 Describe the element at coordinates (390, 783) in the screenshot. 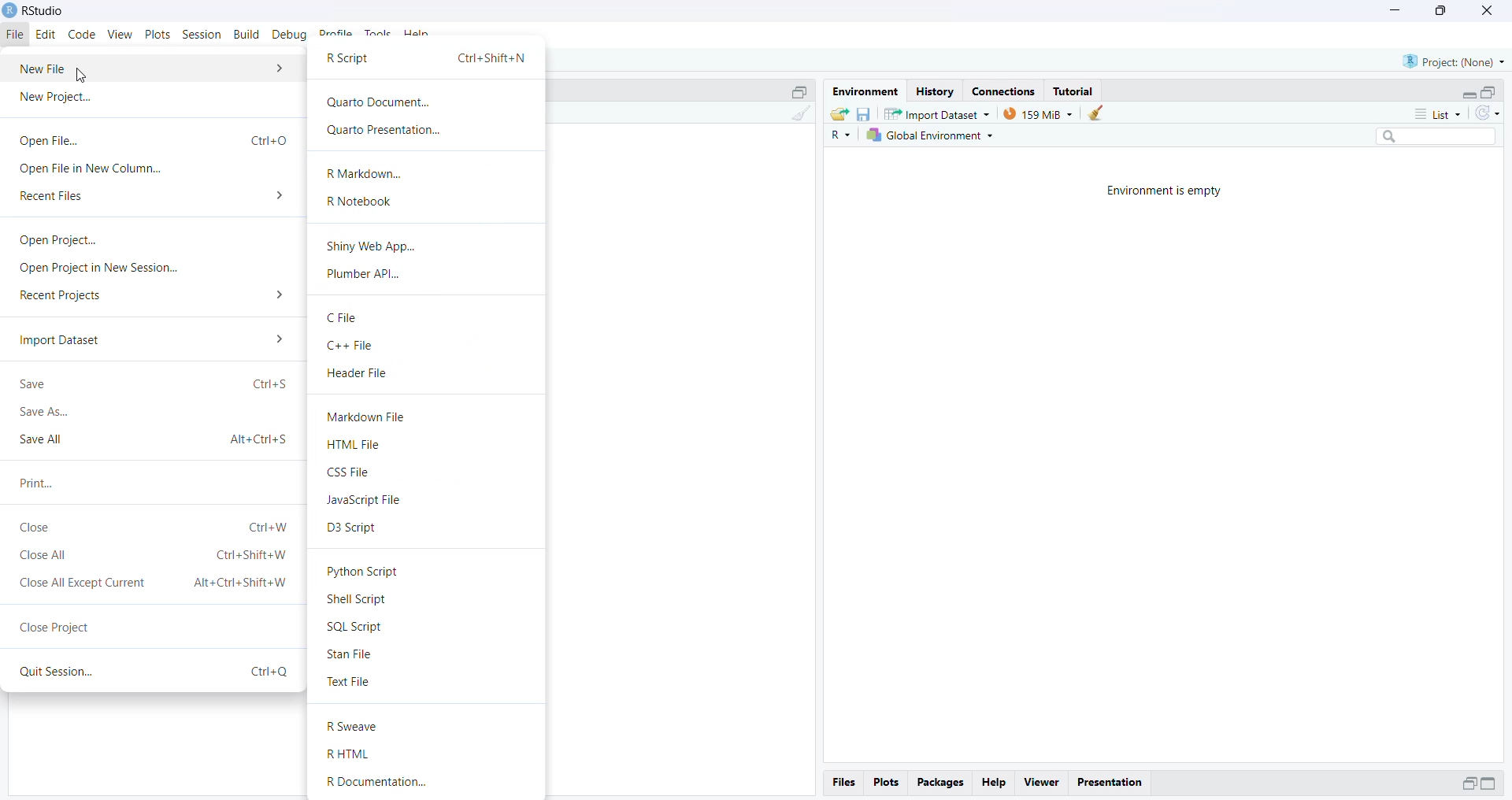

I see `R Documentation...` at that location.